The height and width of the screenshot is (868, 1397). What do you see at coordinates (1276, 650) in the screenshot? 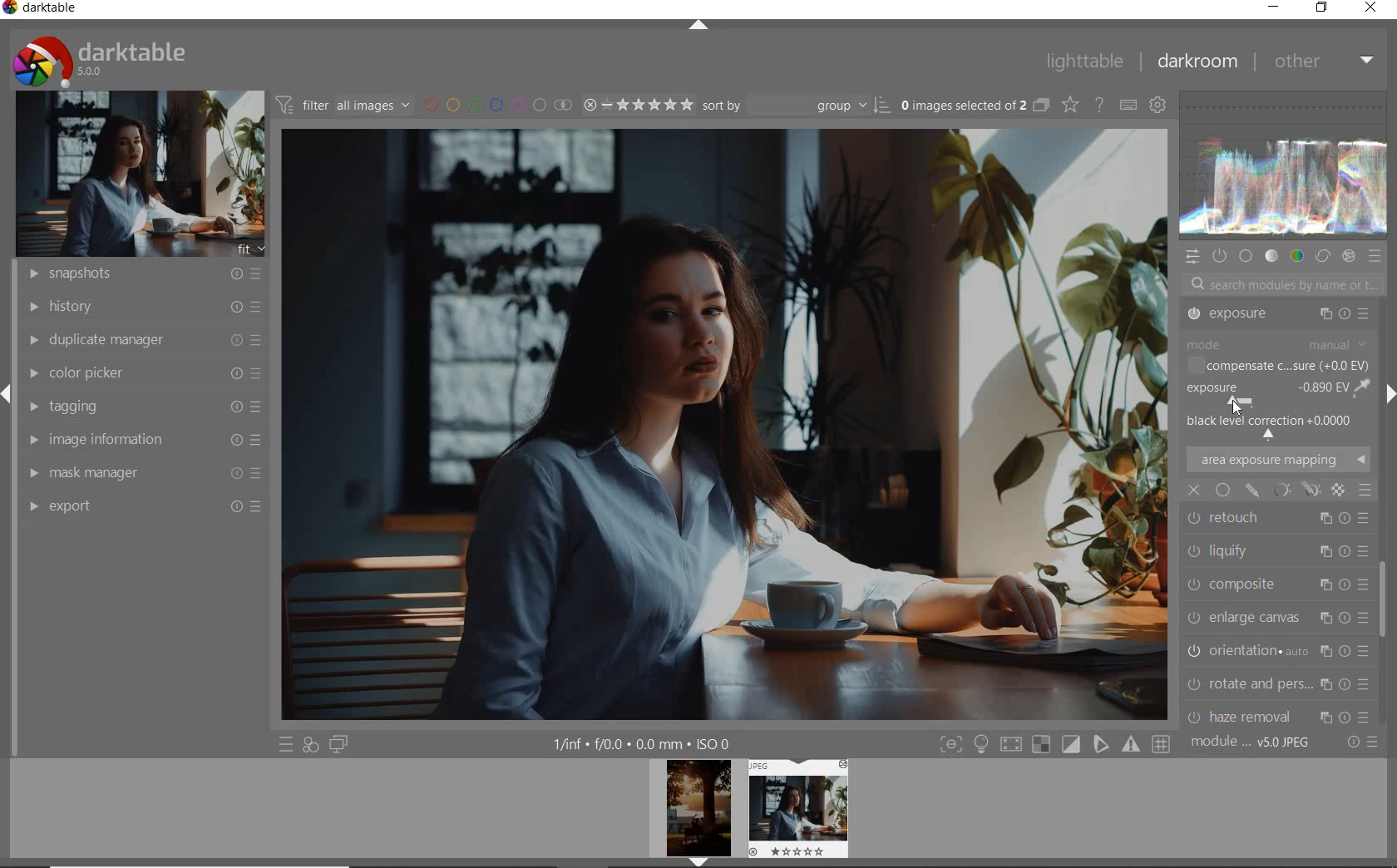
I see `CHROMATIC ABER` at bounding box center [1276, 650].